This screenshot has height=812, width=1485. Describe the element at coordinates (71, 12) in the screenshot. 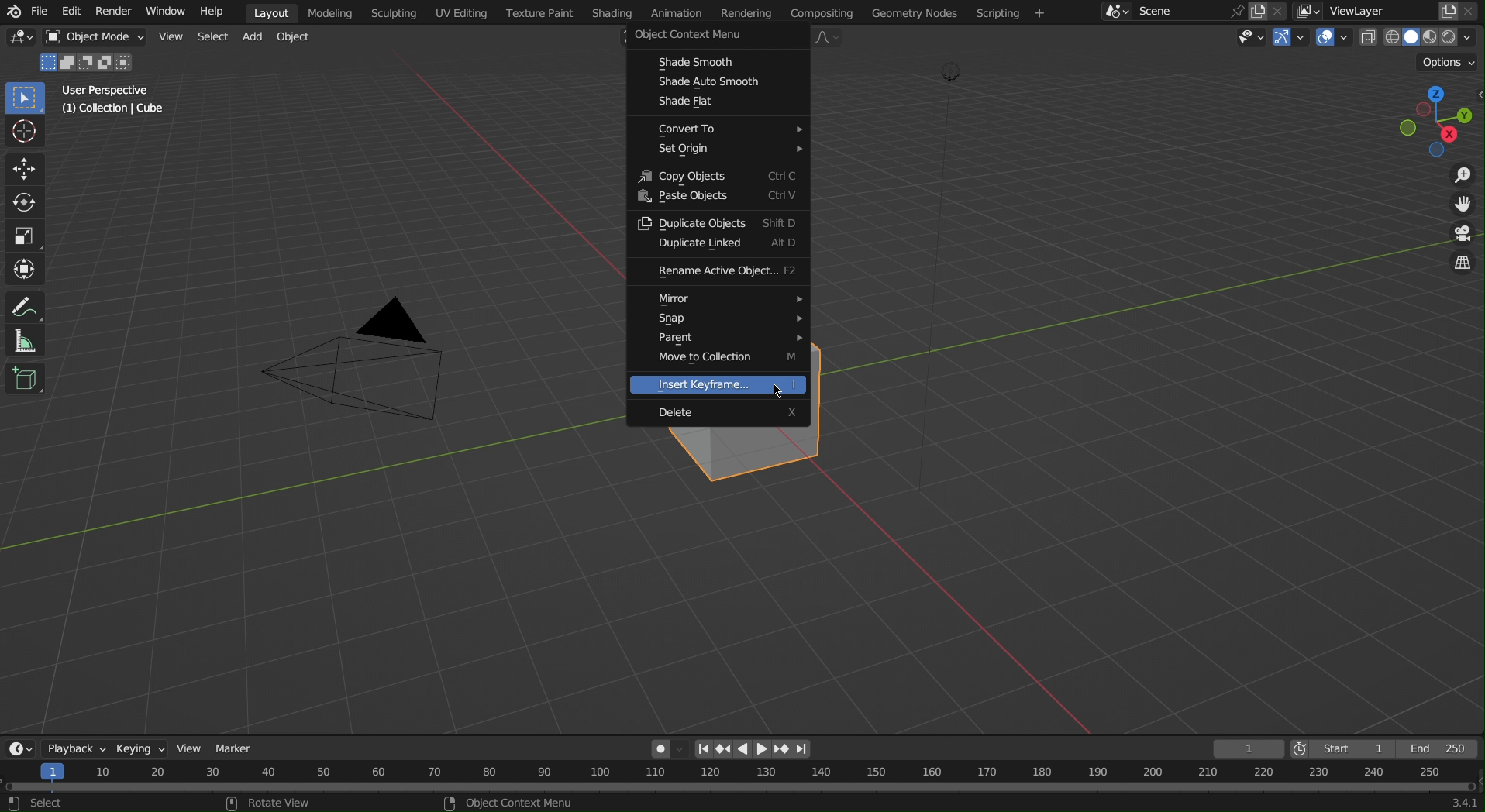

I see `Edit` at that location.